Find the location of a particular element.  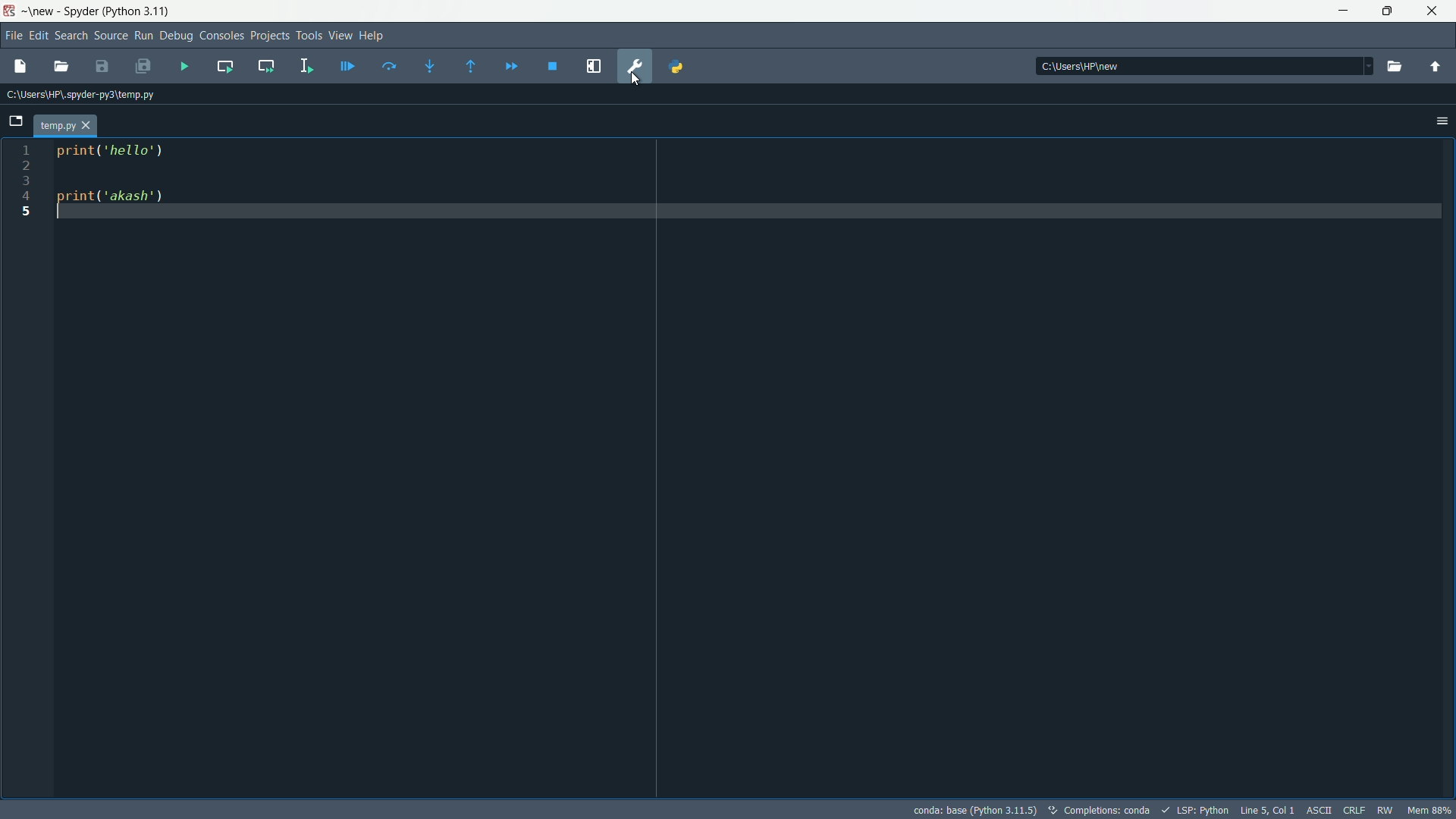

continue execution untill next function is located at coordinates (472, 65).